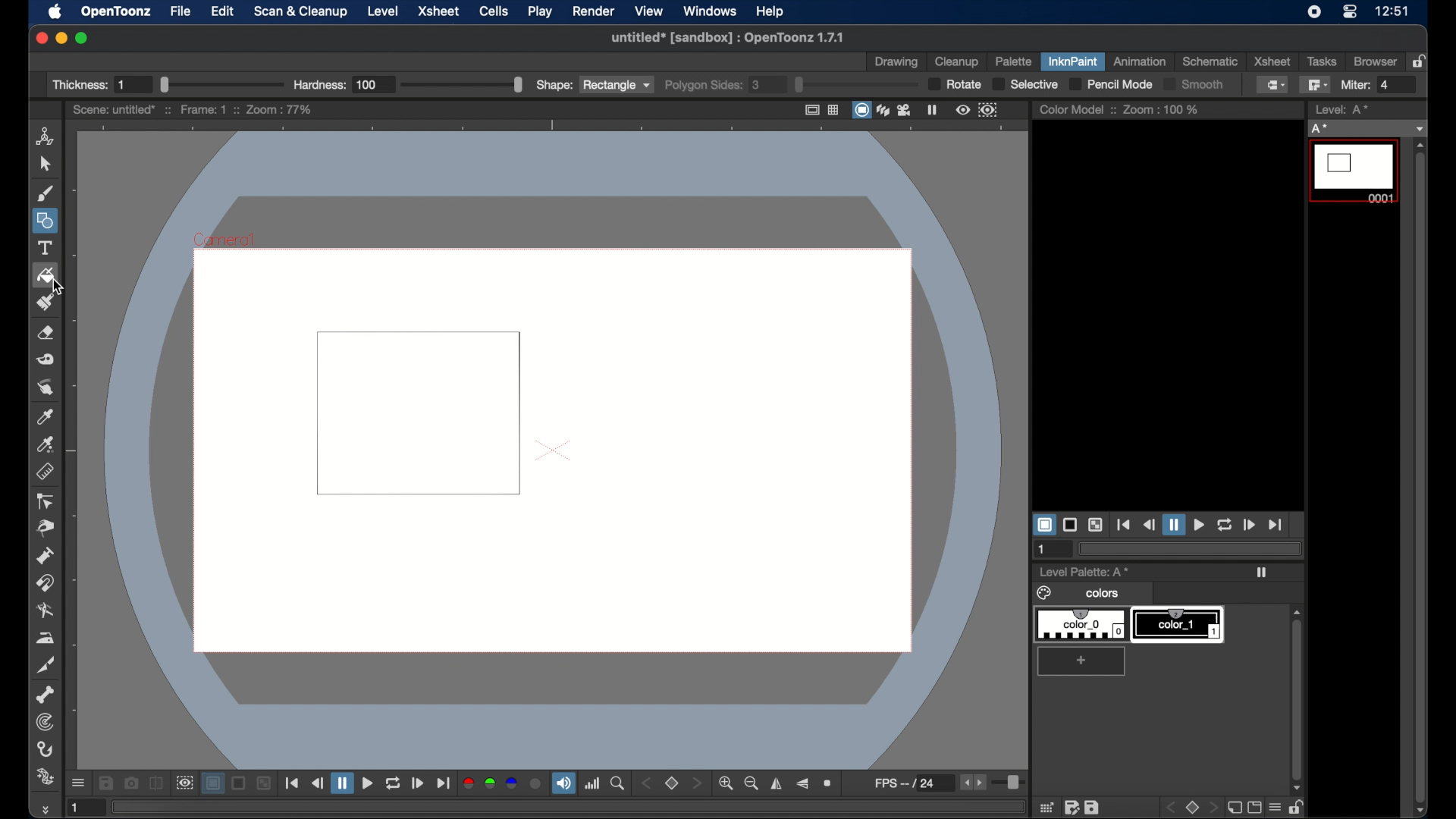 The height and width of the screenshot is (819, 1456). Describe the element at coordinates (1224, 525) in the screenshot. I see `loop` at that location.